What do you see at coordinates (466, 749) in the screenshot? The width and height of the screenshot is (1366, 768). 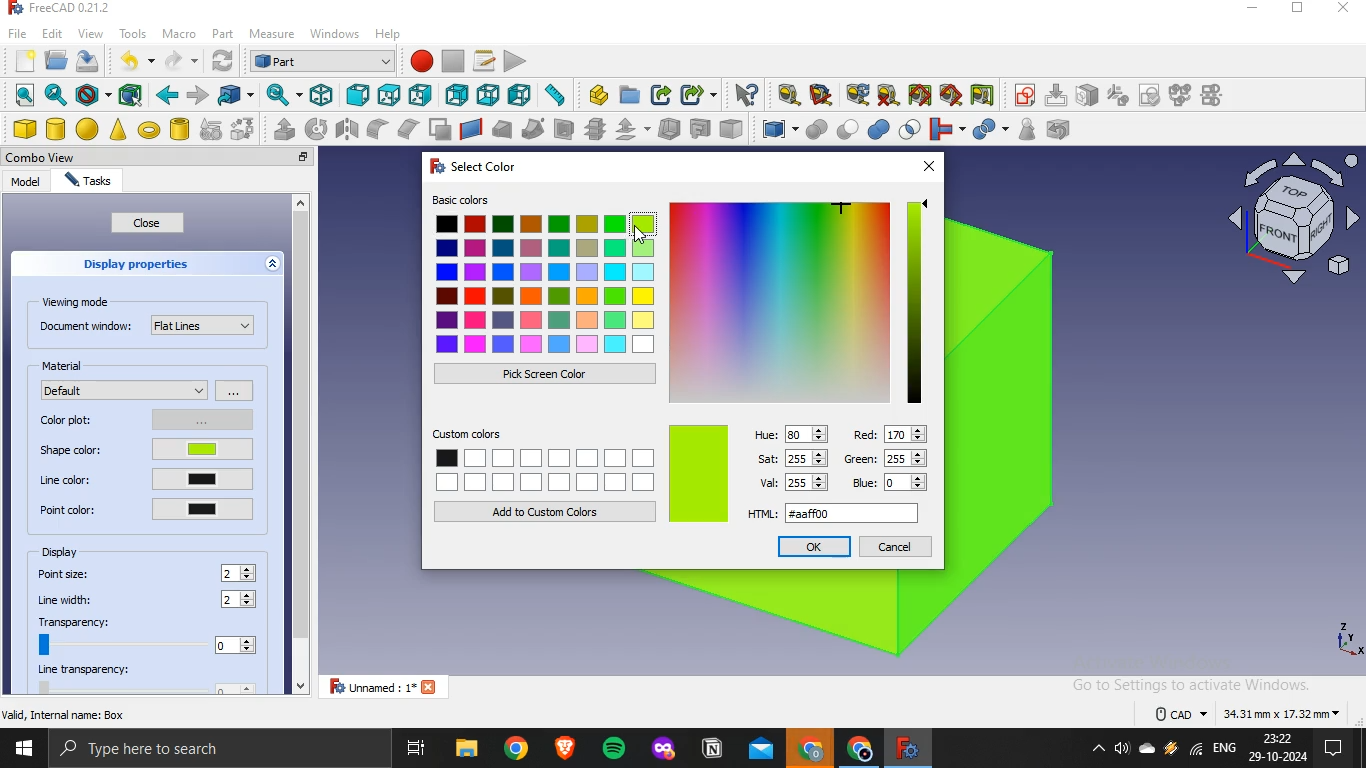 I see `file explorer` at bounding box center [466, 749].